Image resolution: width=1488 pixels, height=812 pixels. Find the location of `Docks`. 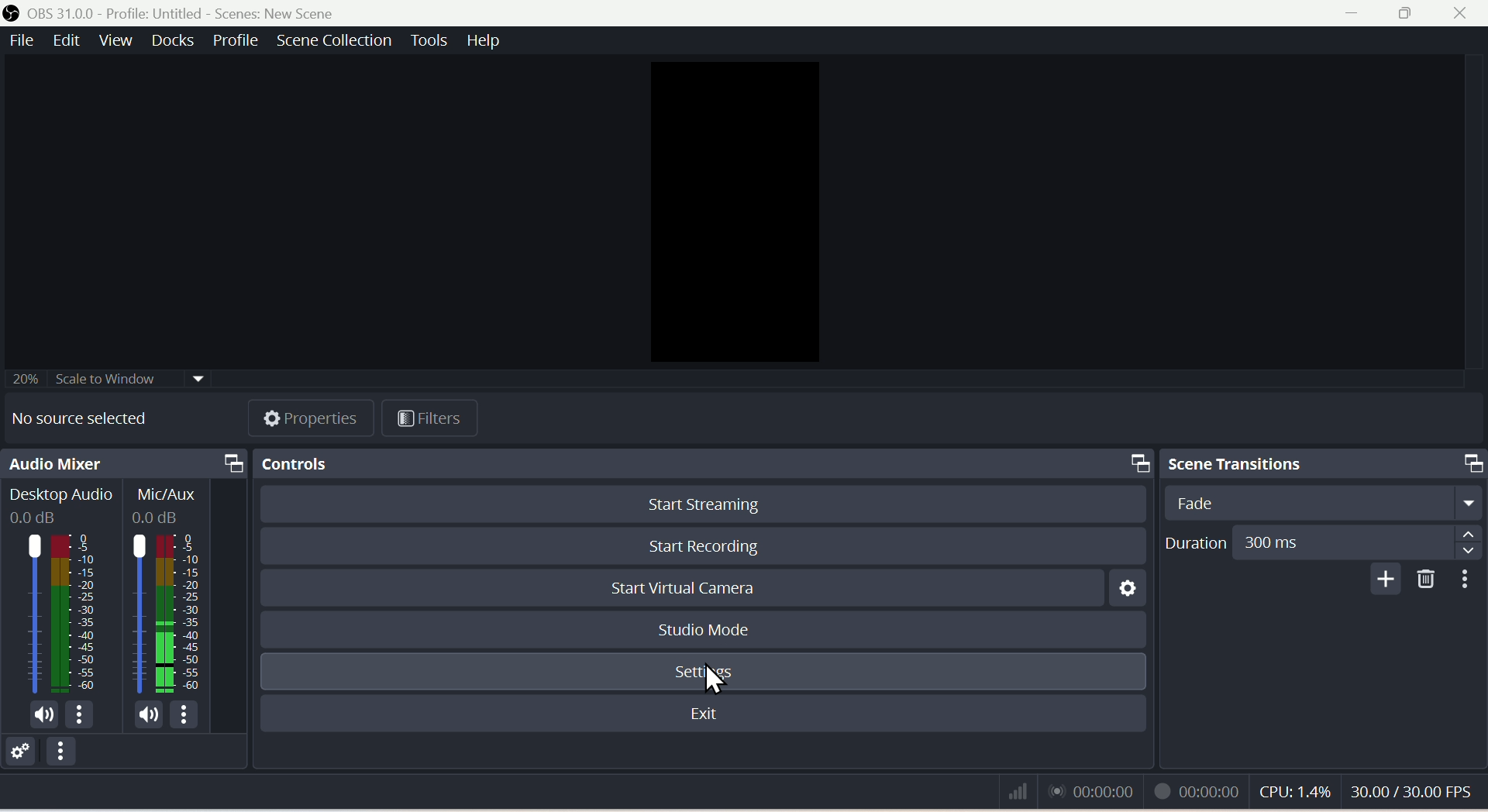

Docks is located at coordinates (176, 40).